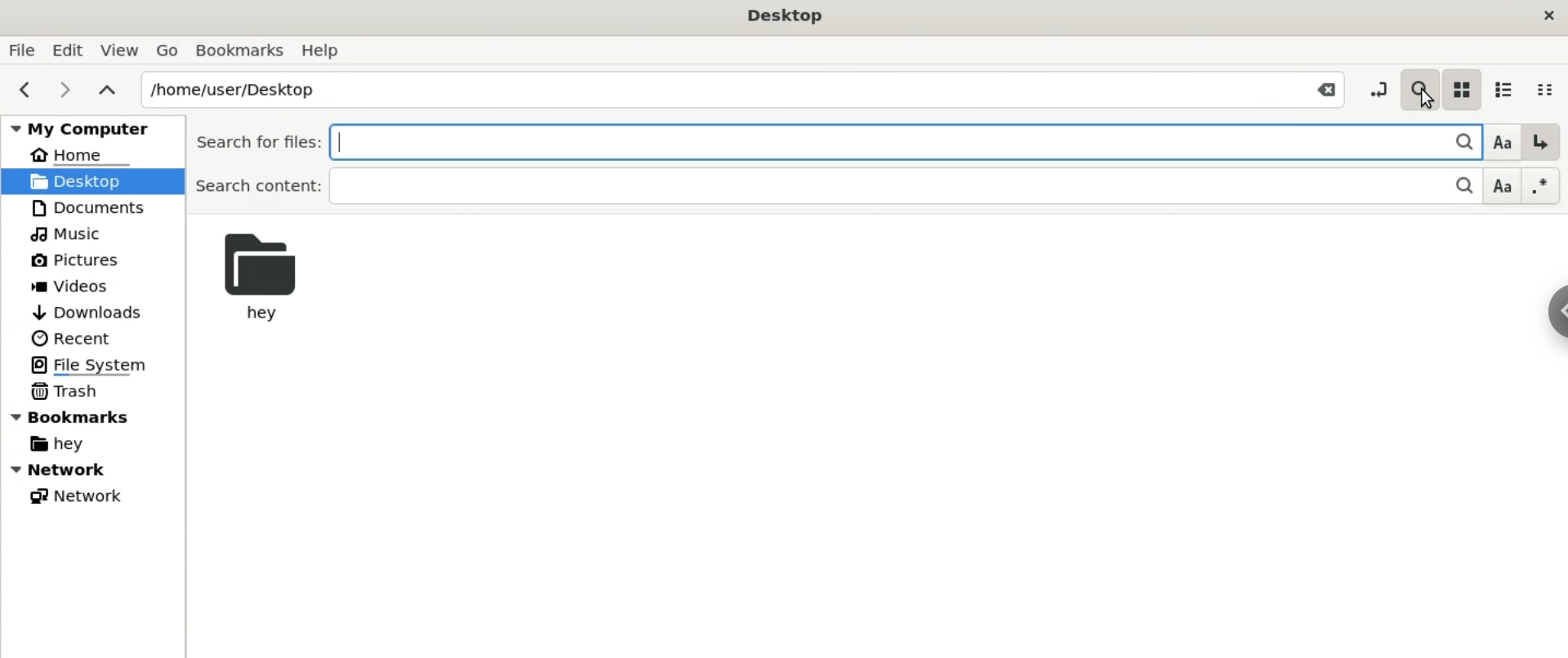 This screenshot has width=1568, height=658. I want to click on Videos, so click(78, 285).